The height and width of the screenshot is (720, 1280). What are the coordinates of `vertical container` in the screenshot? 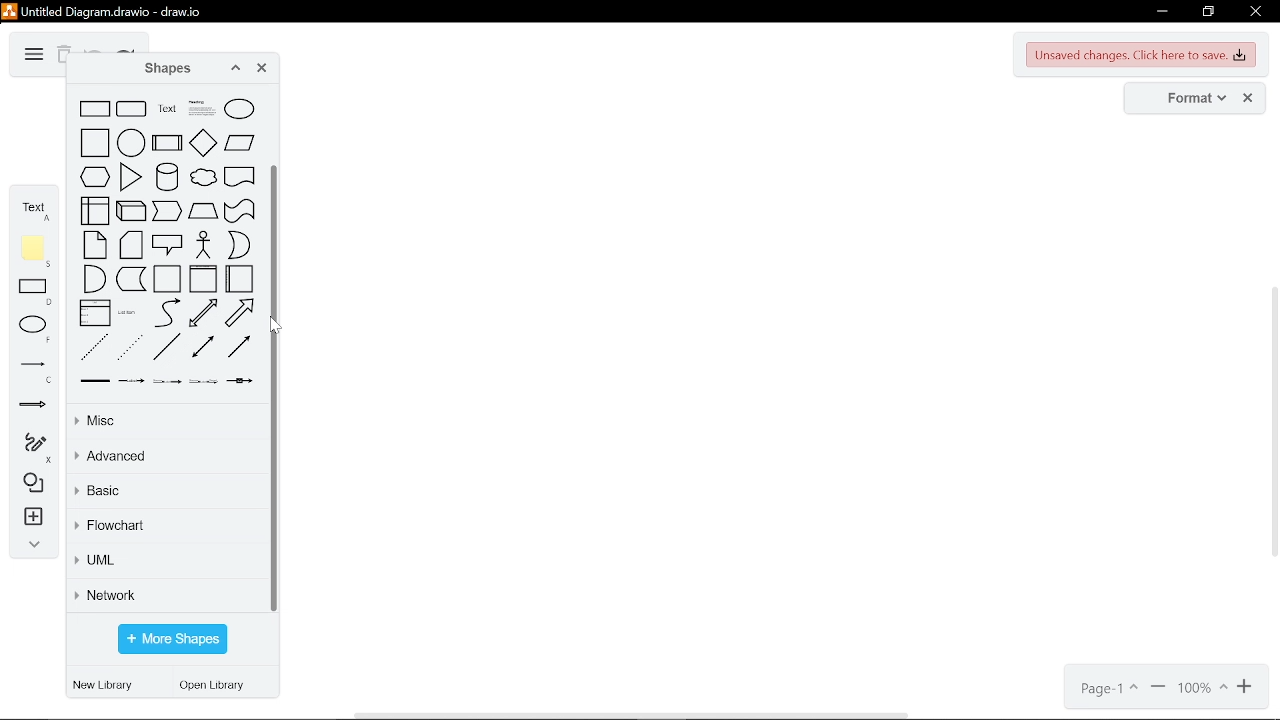 It's located at (203, 278).